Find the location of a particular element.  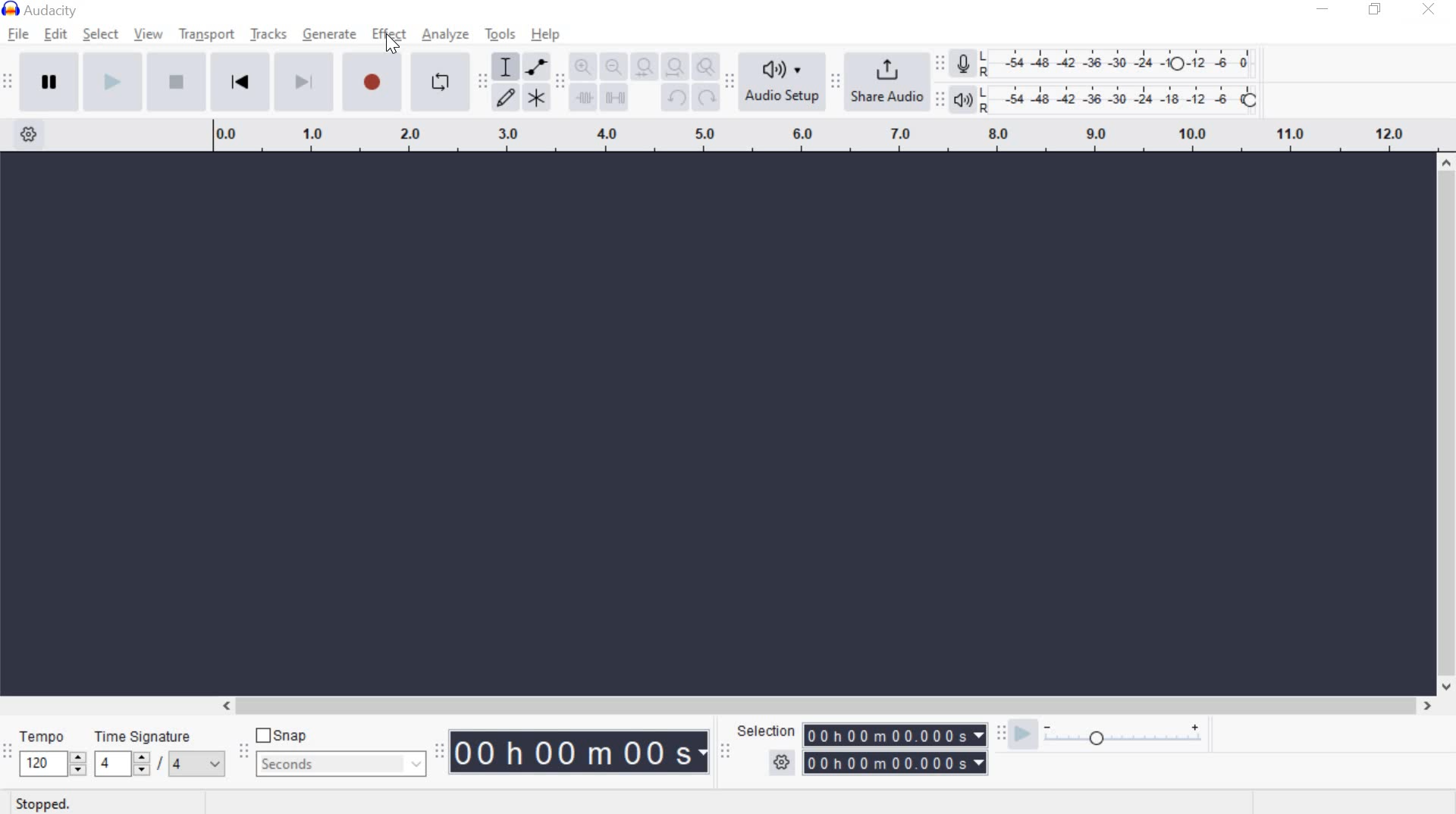

undo is located at coordinates (678, 97).